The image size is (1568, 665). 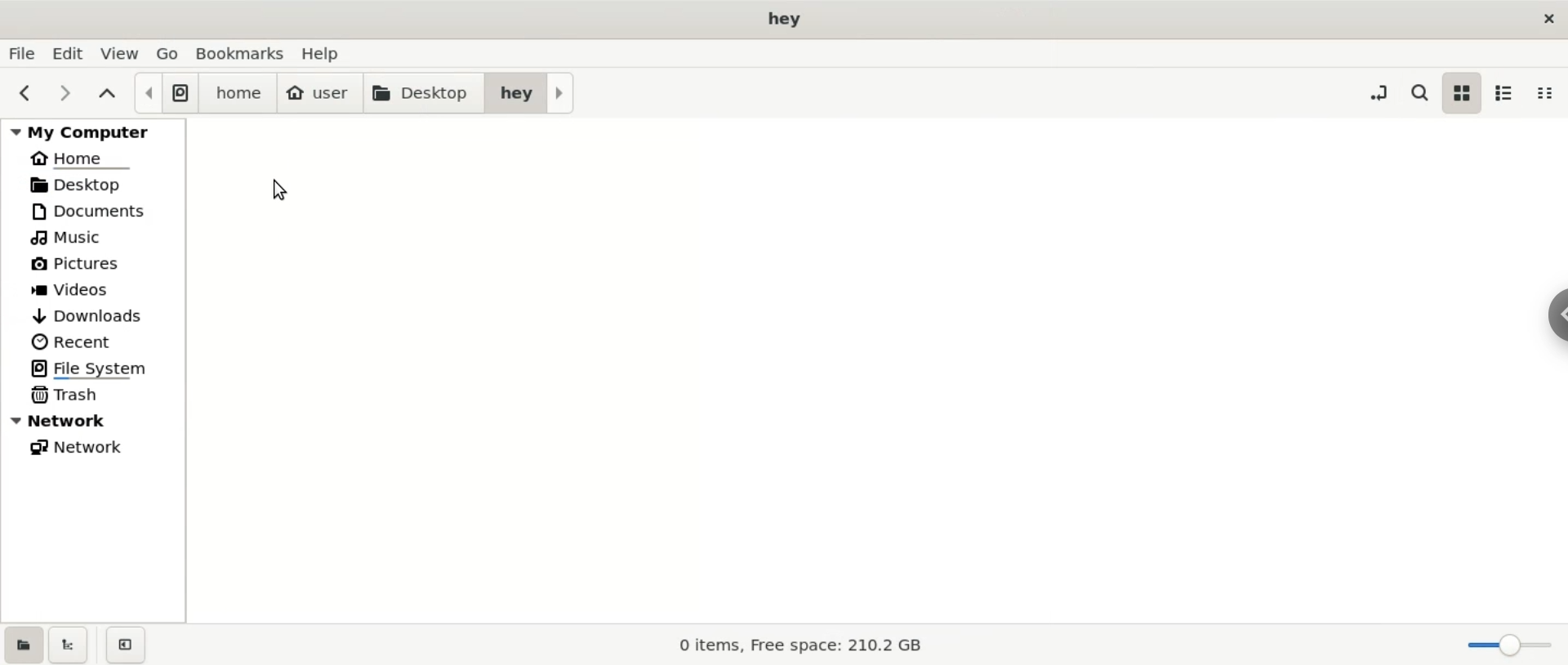 What do you see at coordinates (66, 94) in the screenshot?
I see `next` at bounding box center [66, 94].